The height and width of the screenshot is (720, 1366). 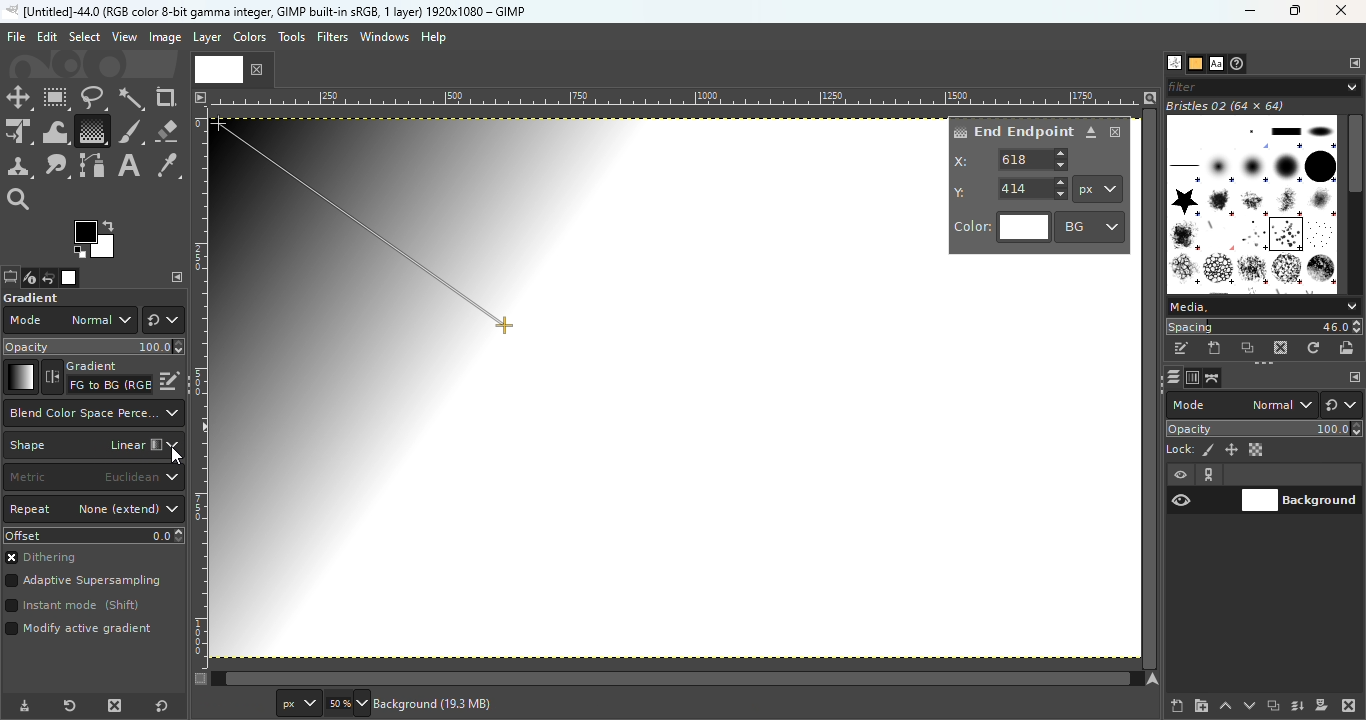 I want to click on Offset, so click(x=94, y=535).